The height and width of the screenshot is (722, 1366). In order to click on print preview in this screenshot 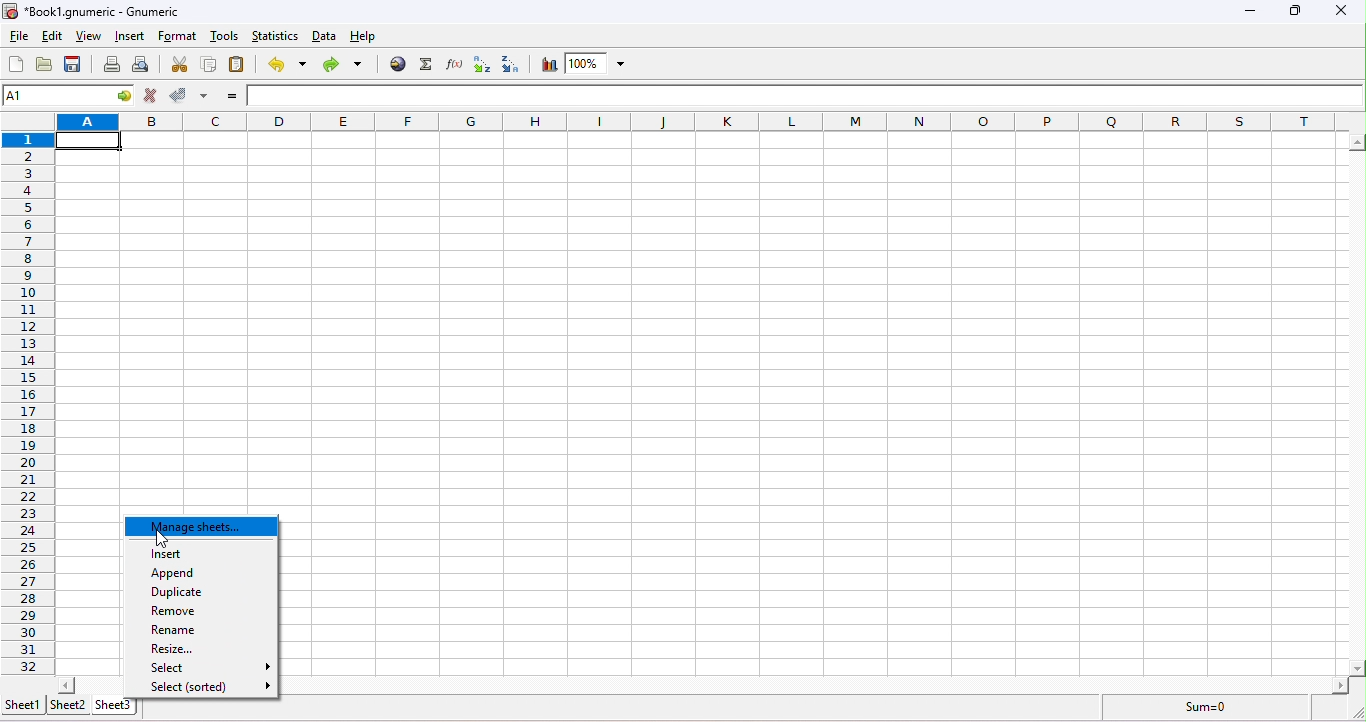, I will do `click(148, 65)`.